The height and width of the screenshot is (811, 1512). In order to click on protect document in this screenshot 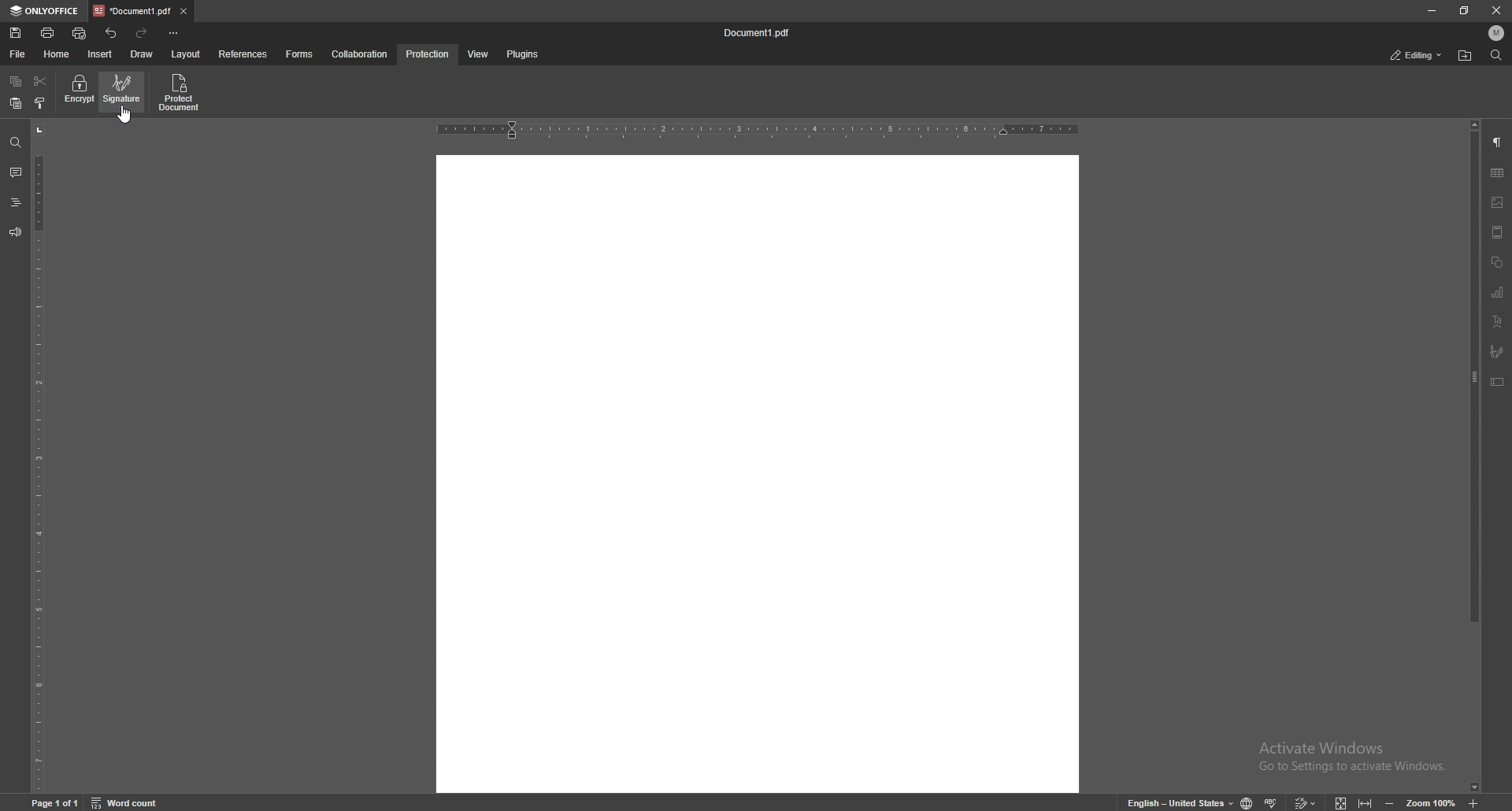, I will do `click(181, 92)`.